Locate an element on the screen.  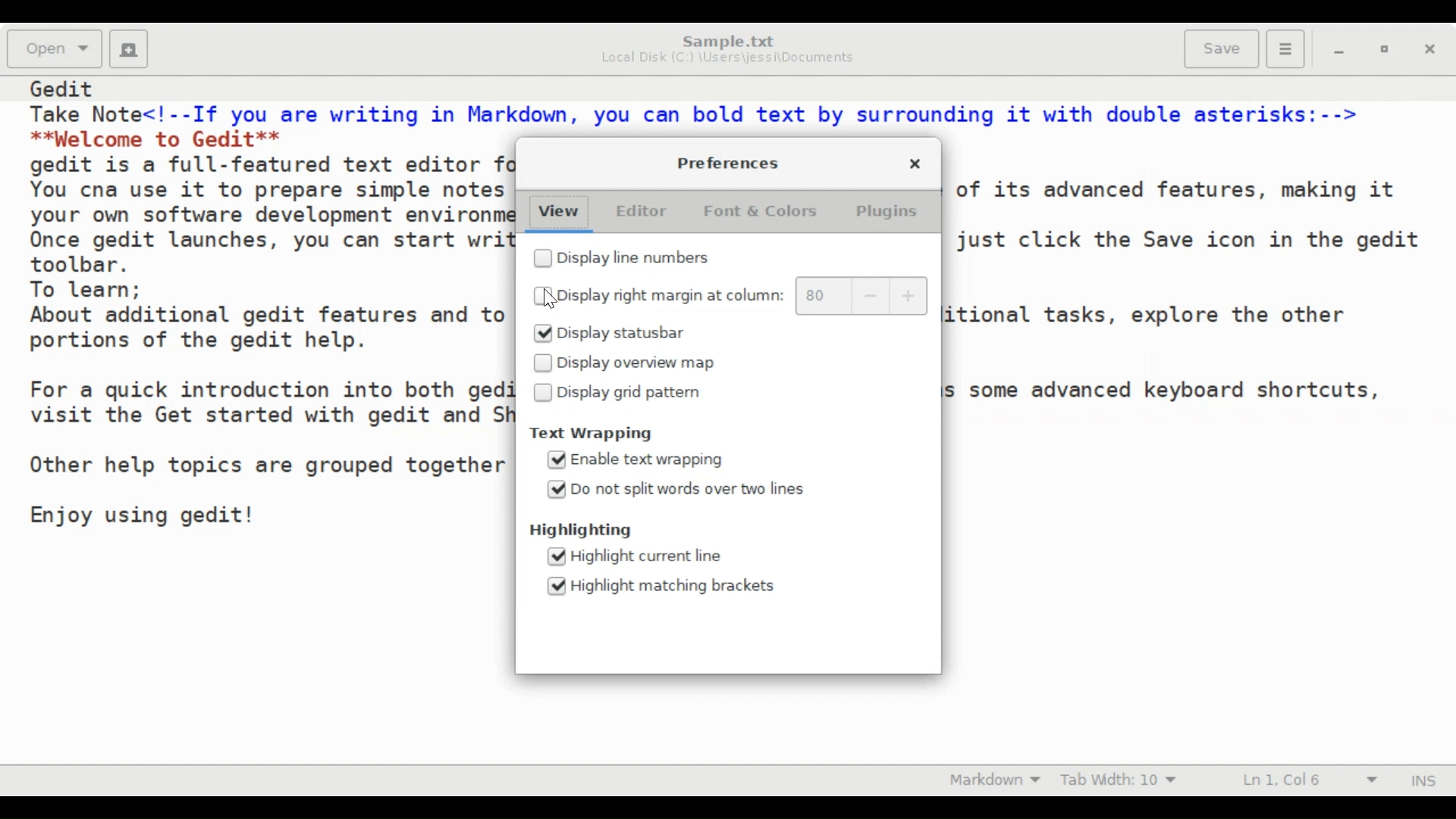
(un)select Do not split words over two lines is located at coordinates (675, 488).